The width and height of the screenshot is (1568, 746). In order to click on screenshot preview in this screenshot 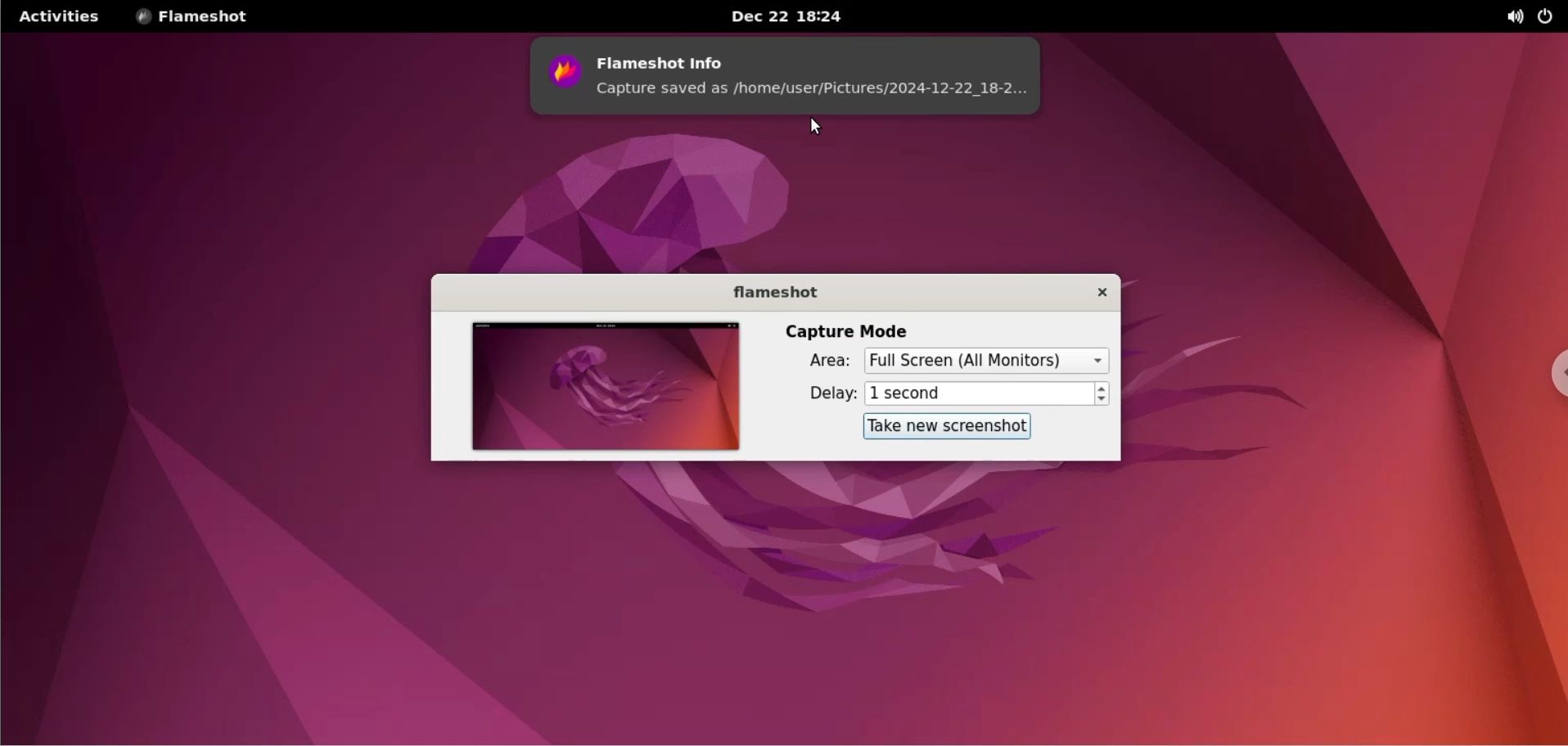, I will do `click(607, 389)`.